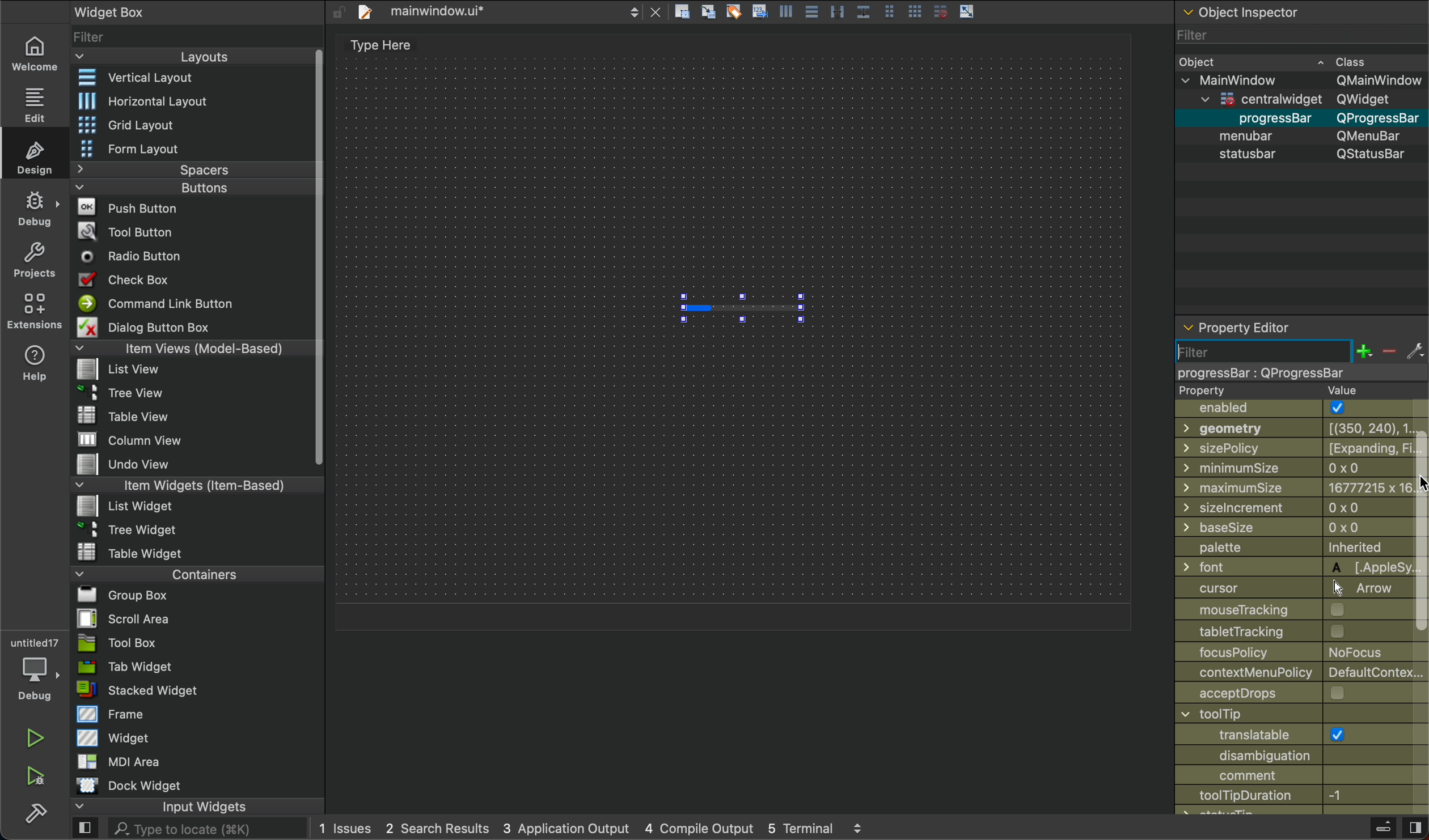 Image resolution: width=1429 pixels, height=840 pixels. I want to click on mouse tracking, so click(1282, 609).